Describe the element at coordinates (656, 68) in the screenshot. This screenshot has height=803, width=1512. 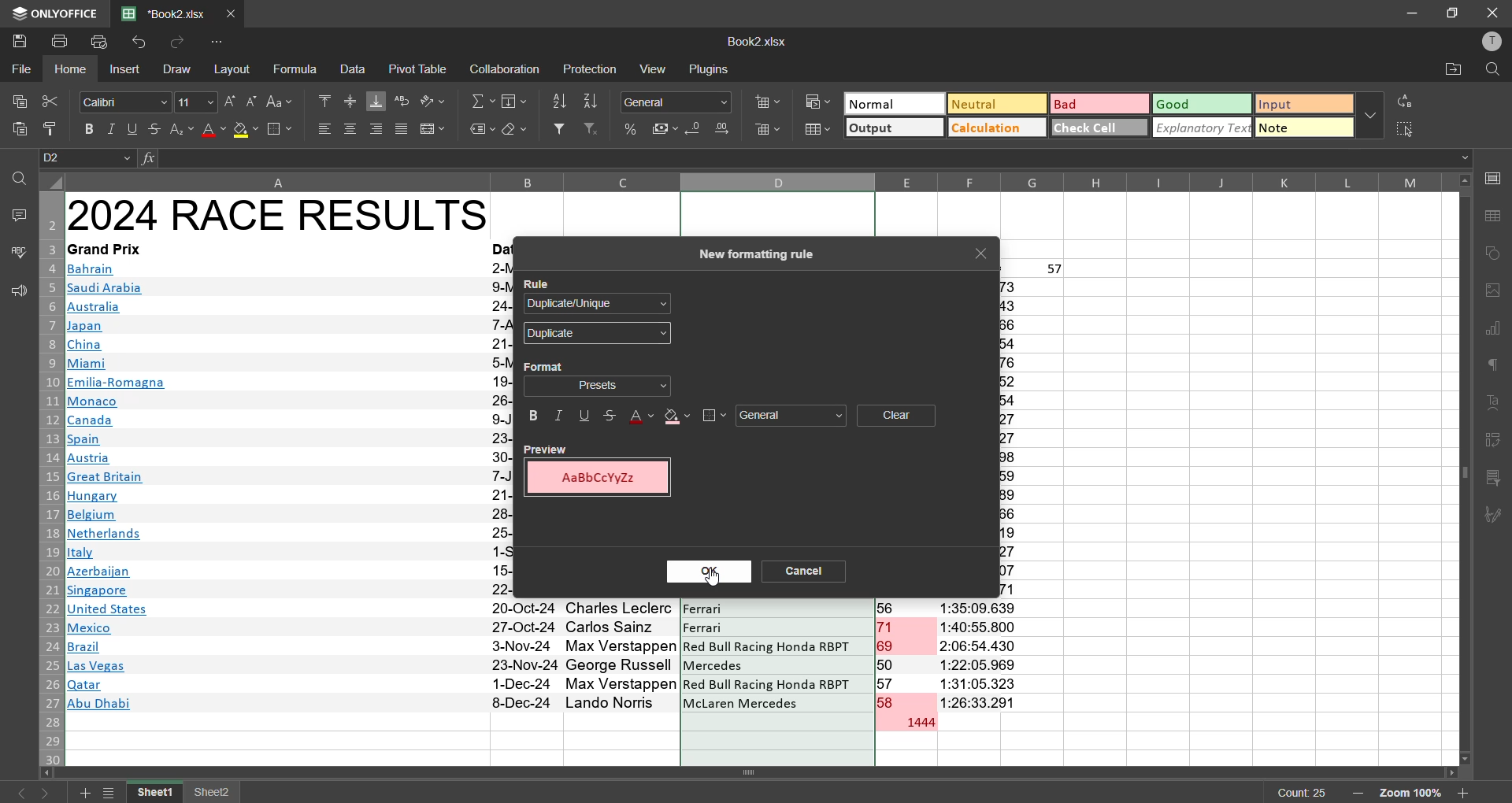
I see `view` at that location.